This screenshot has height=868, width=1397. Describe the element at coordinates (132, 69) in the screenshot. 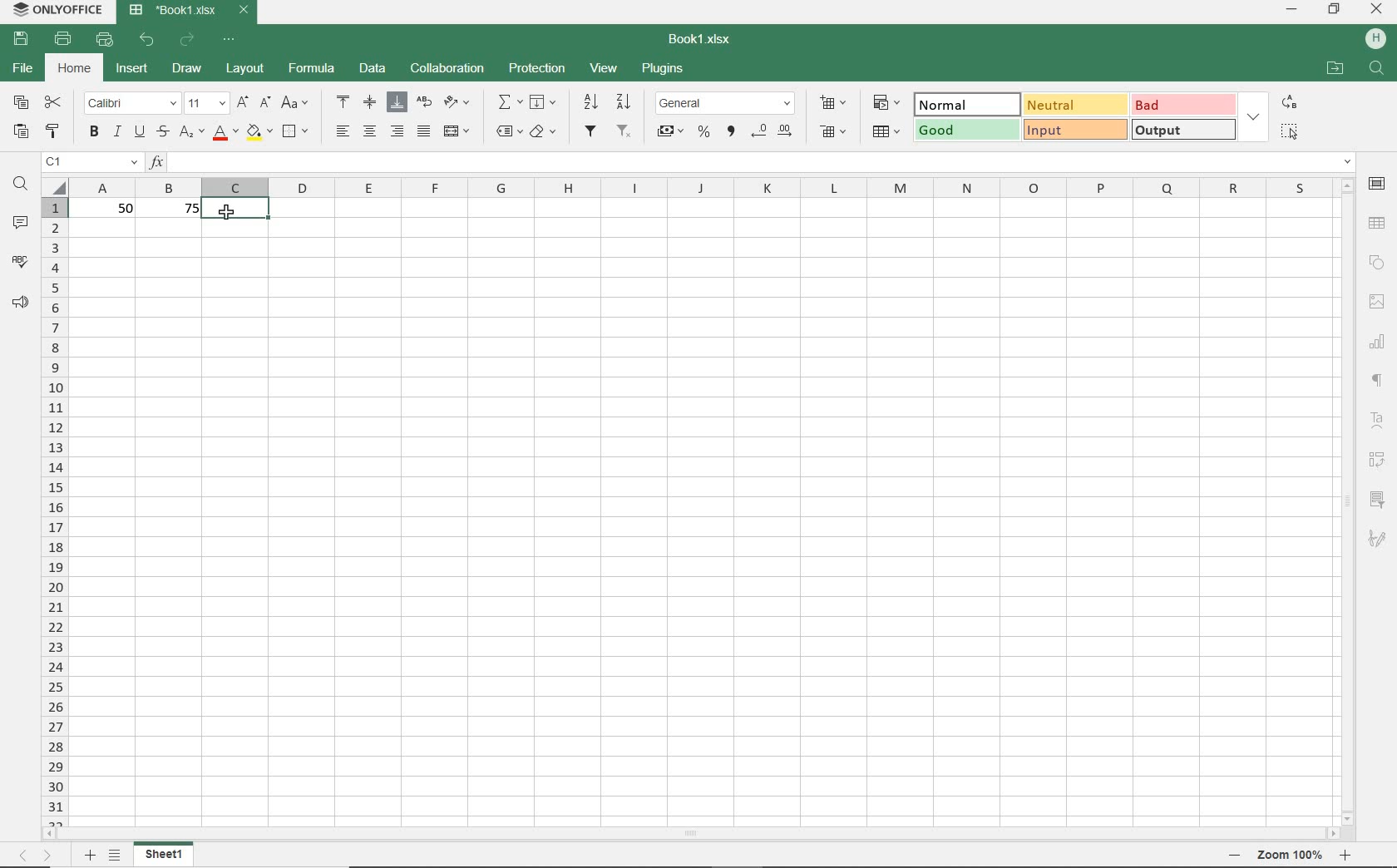

I see `insert` at that location.